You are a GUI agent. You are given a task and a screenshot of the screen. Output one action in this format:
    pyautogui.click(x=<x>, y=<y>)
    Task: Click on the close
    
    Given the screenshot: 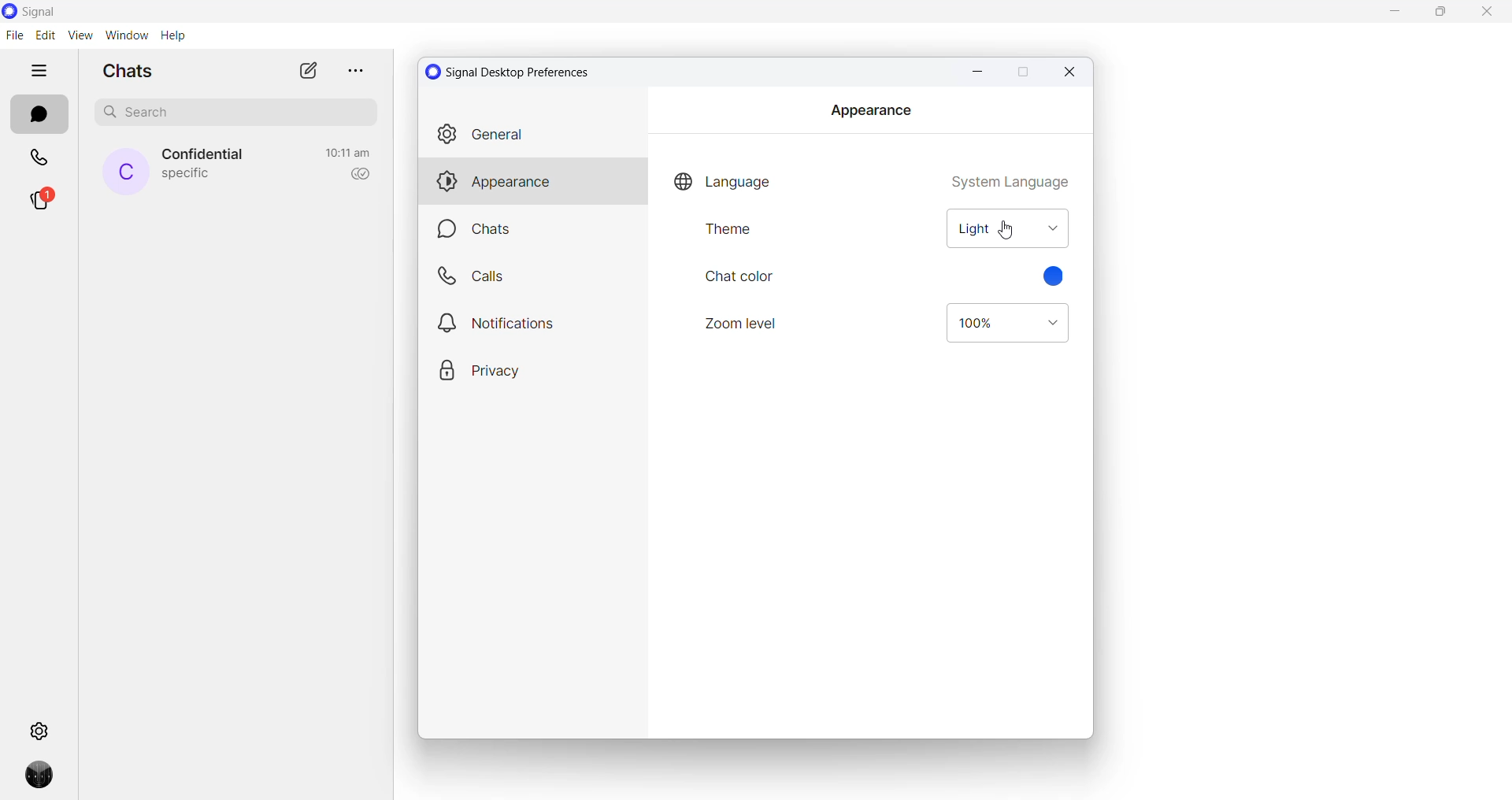 What is the action you would take?
    pyautogui.click(x=1486, y=14)
    